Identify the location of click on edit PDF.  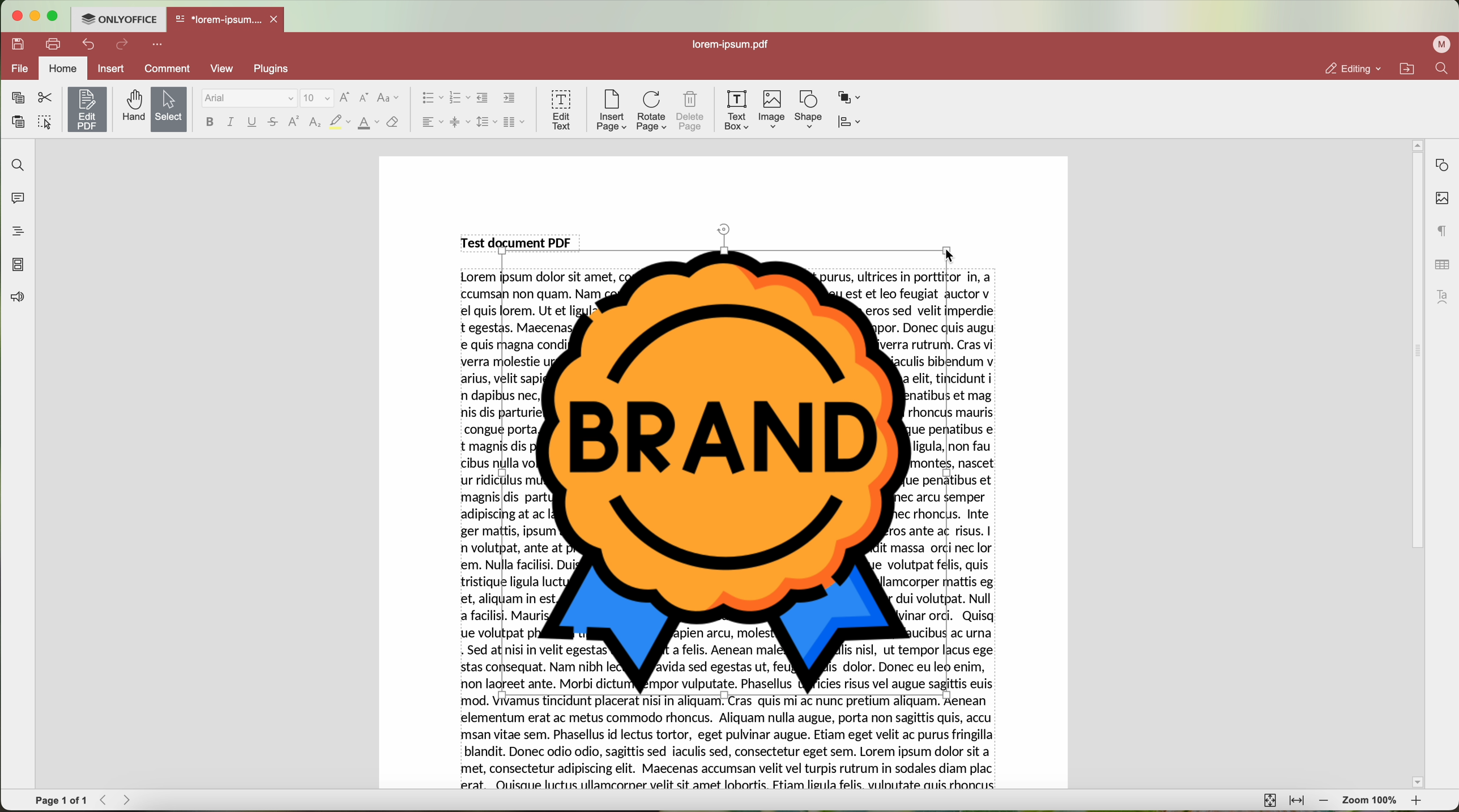
(88, 111).